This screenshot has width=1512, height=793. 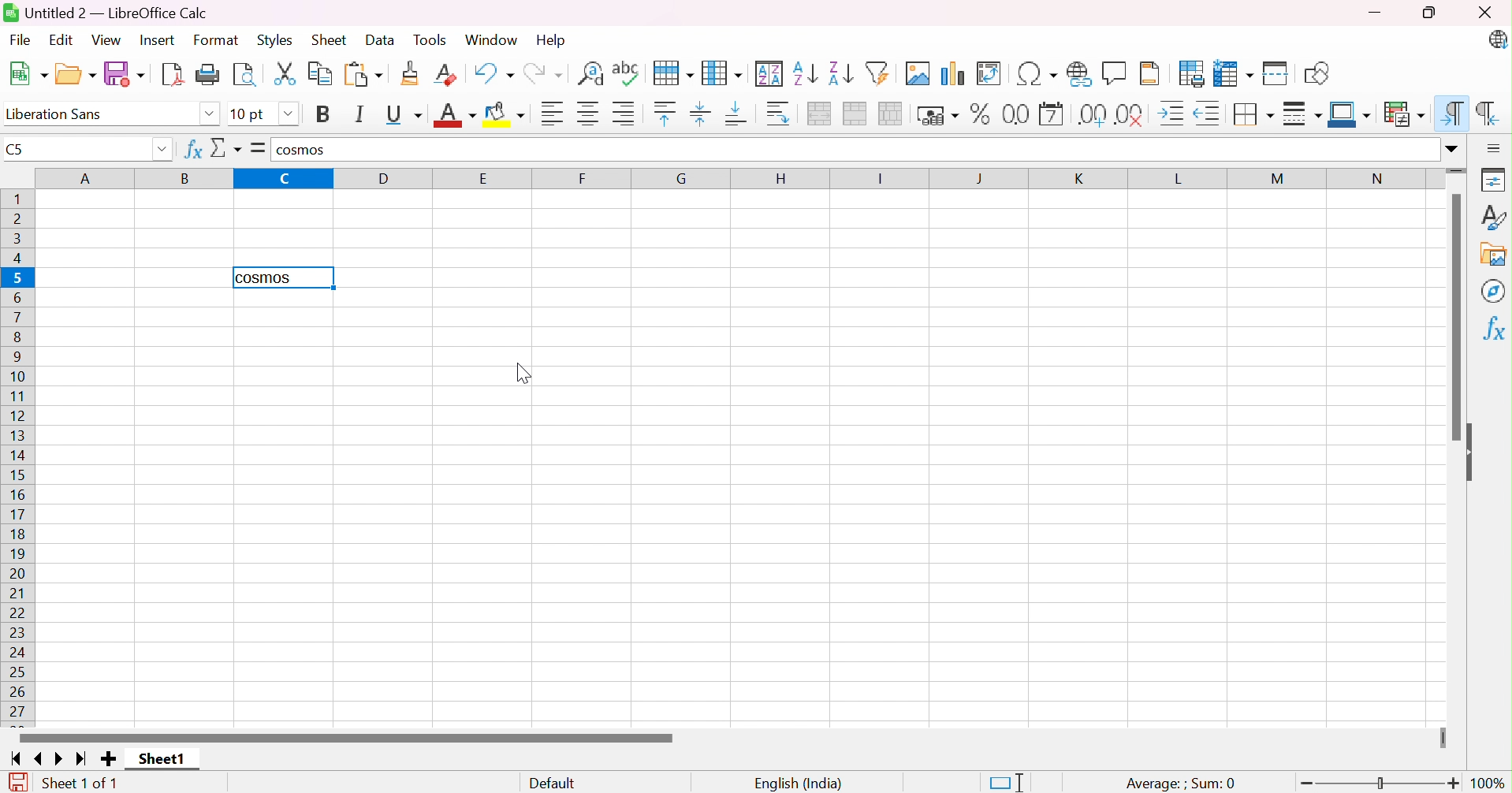 What do you see at coordinates (210, 76) in the screenshot?
I see `Print` at bounding box center [210, 76].